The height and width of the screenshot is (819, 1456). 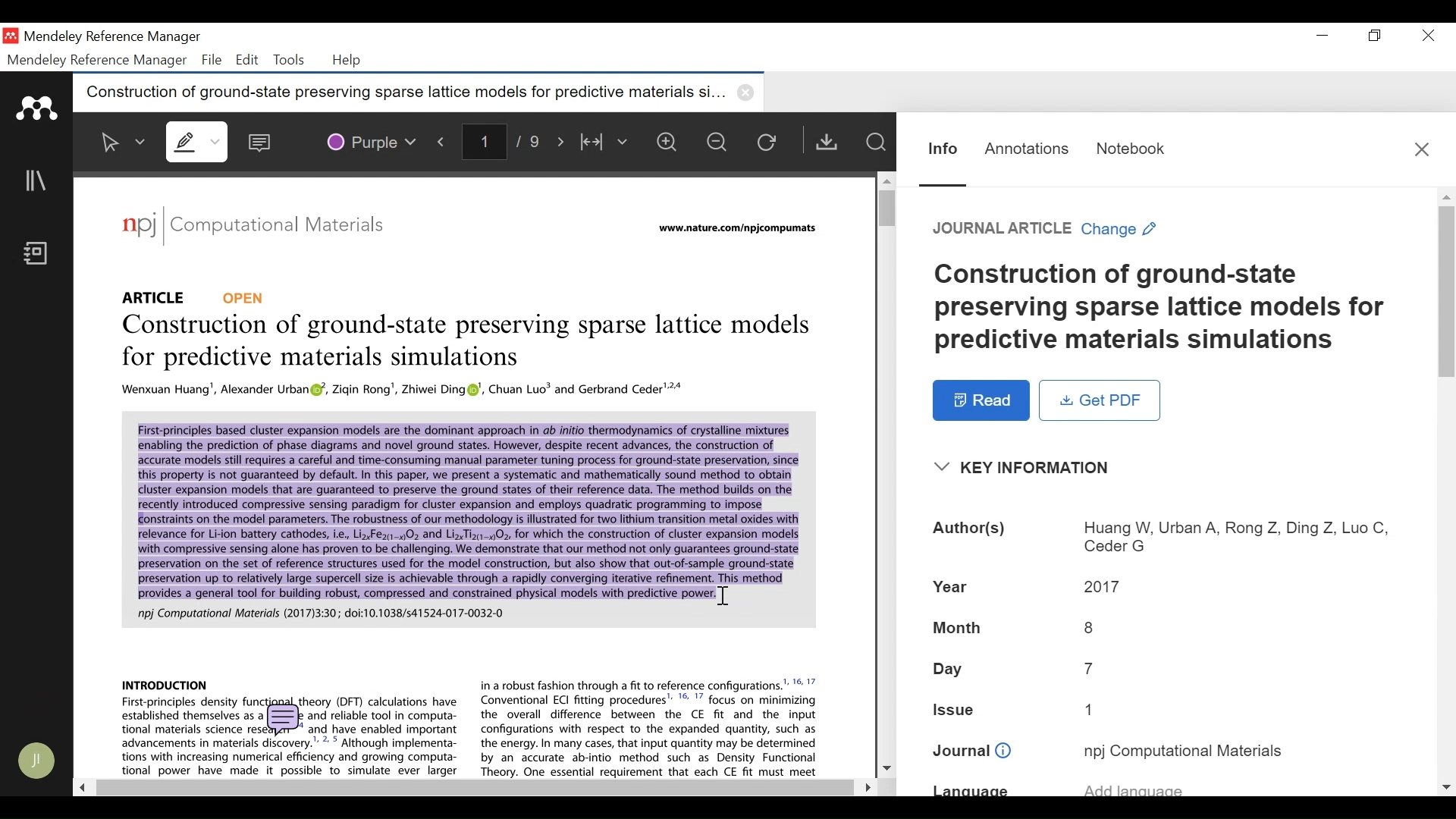 I want to click on Vertical Scroll bar, so click(x=1447, y=290).